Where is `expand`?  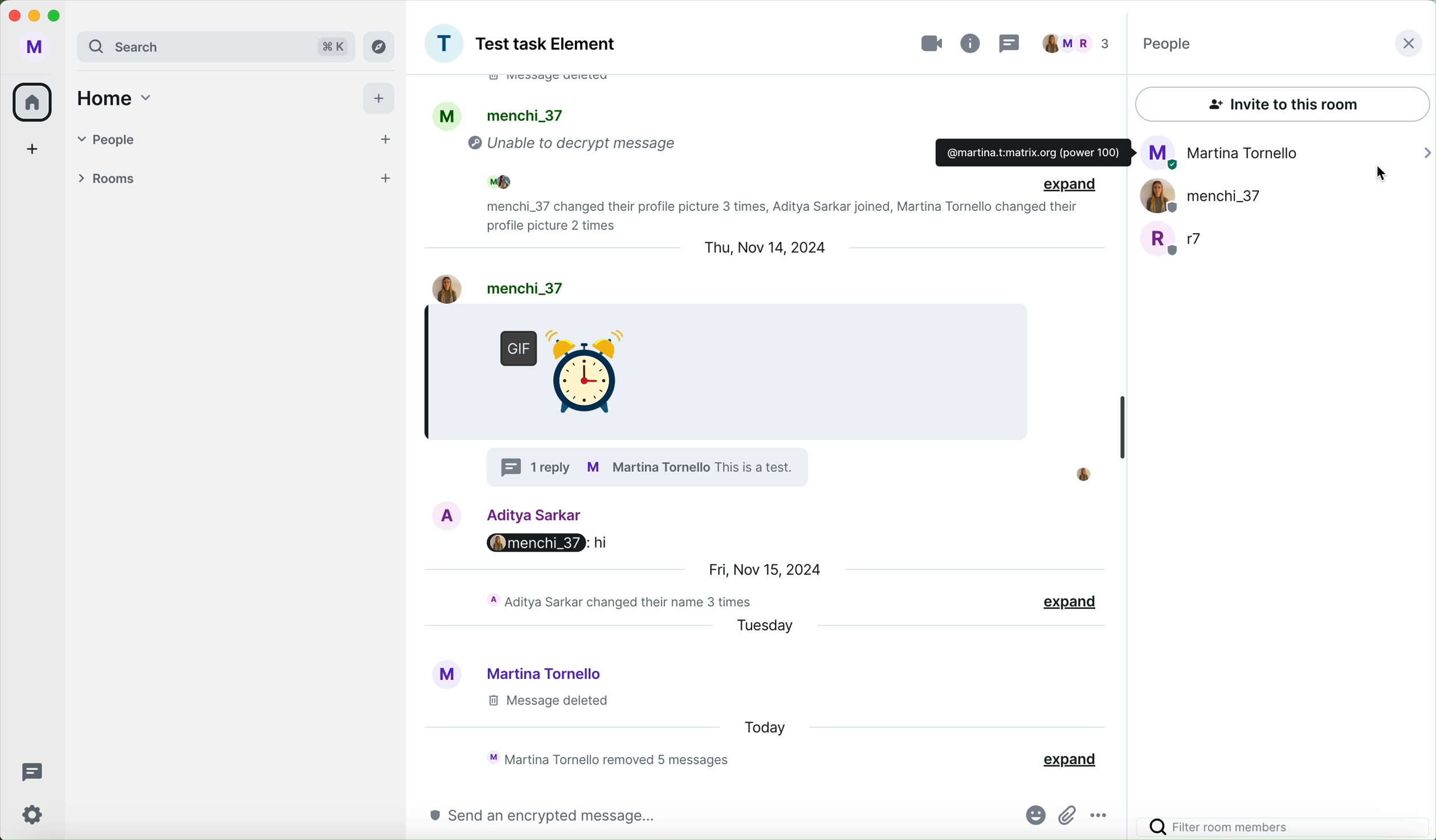
expand is located at coordinates (1071, 602).